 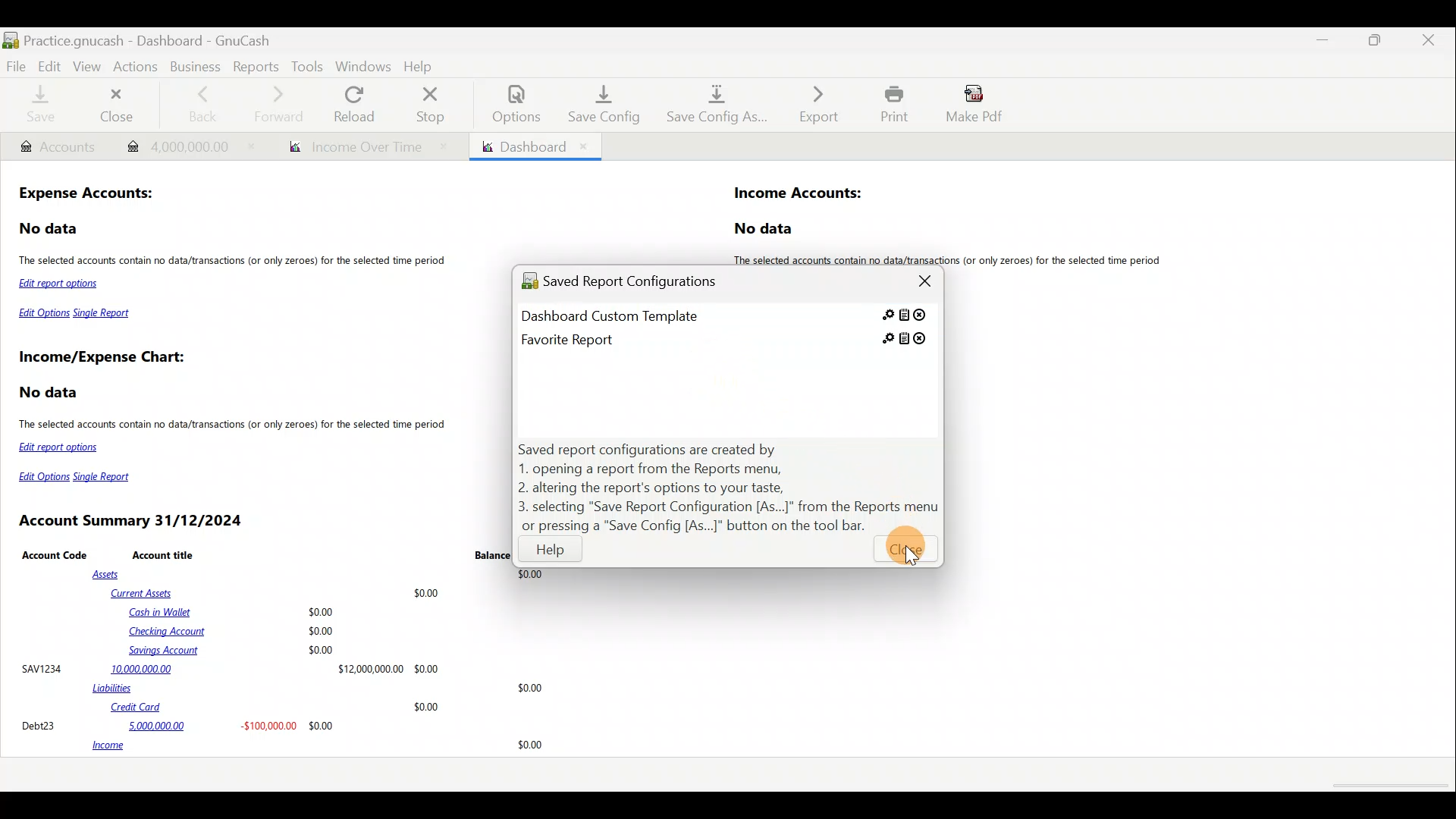 I want to click on Edit Options Single Report, so click(x=80, y=477).